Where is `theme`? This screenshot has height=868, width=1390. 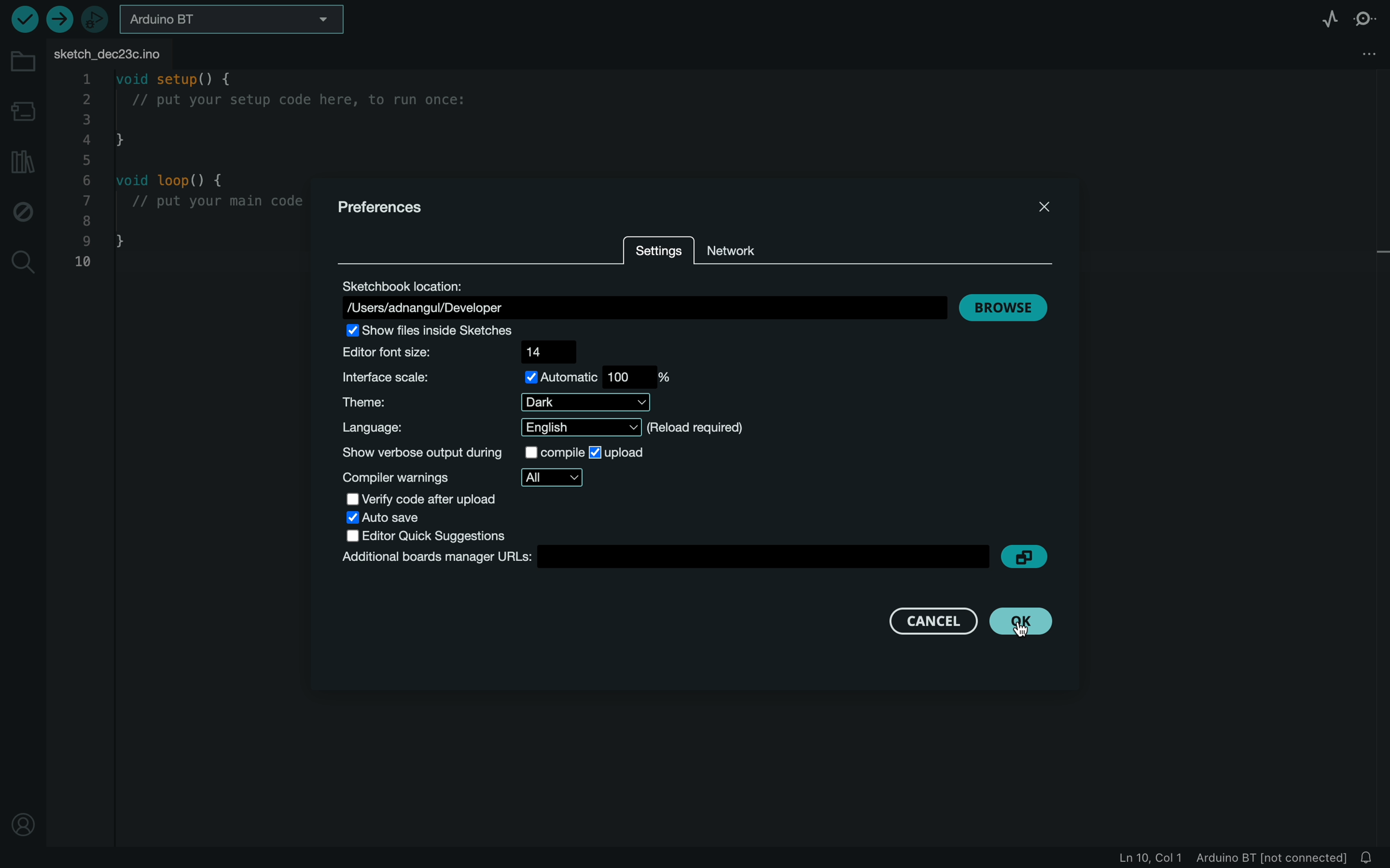
theme is located at coordinates (495, 403).